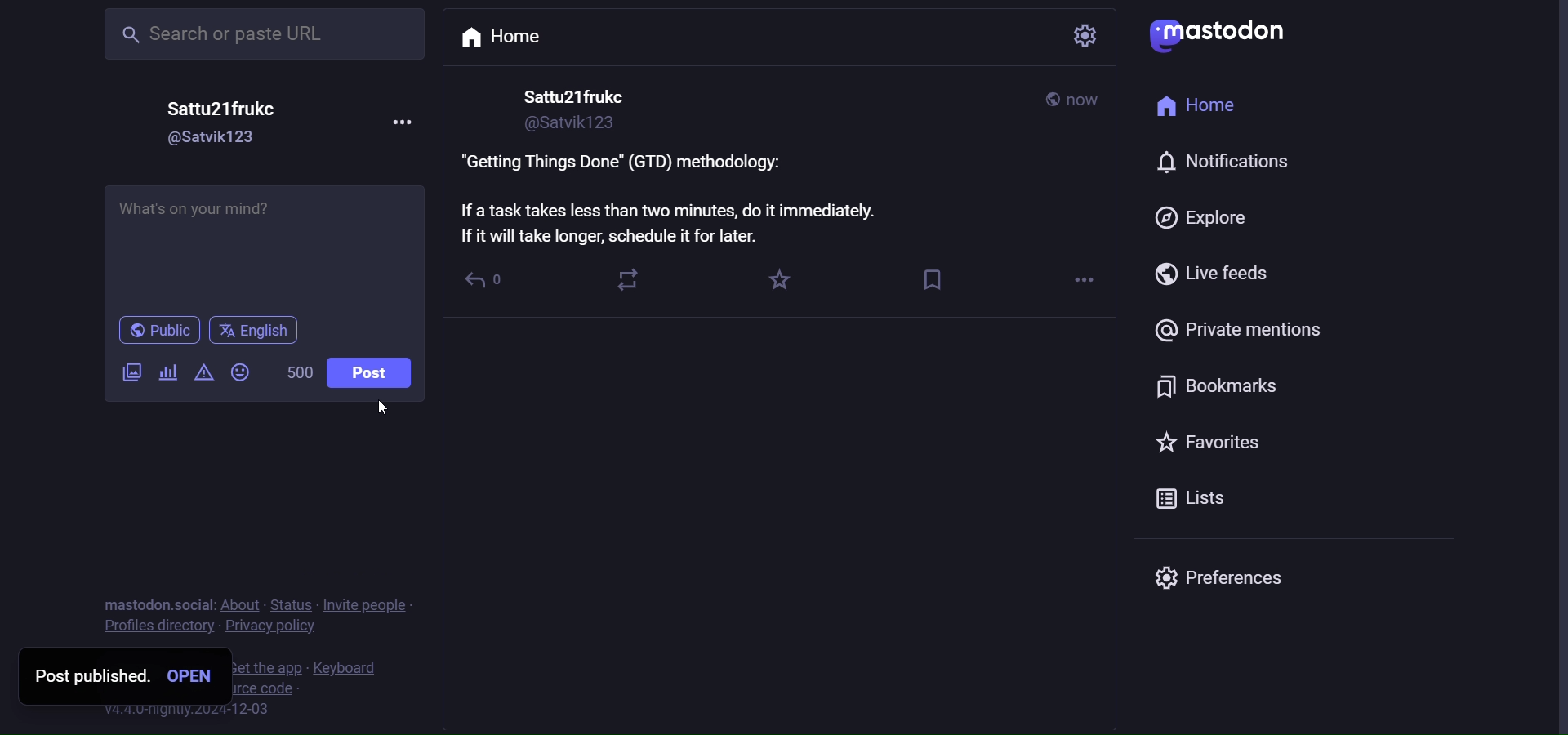 The height and width of the screenshot is (735, 1568). Describe the element at coordinates (247, 230) in the screenshot. I see `life hack` at that location.